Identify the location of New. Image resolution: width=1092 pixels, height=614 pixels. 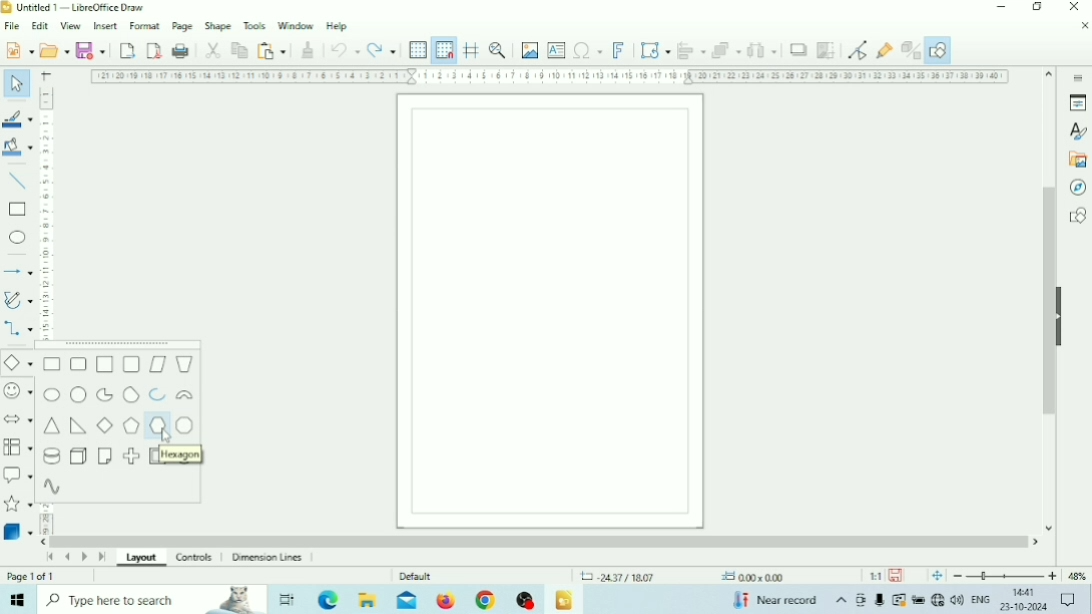
(18, 49).